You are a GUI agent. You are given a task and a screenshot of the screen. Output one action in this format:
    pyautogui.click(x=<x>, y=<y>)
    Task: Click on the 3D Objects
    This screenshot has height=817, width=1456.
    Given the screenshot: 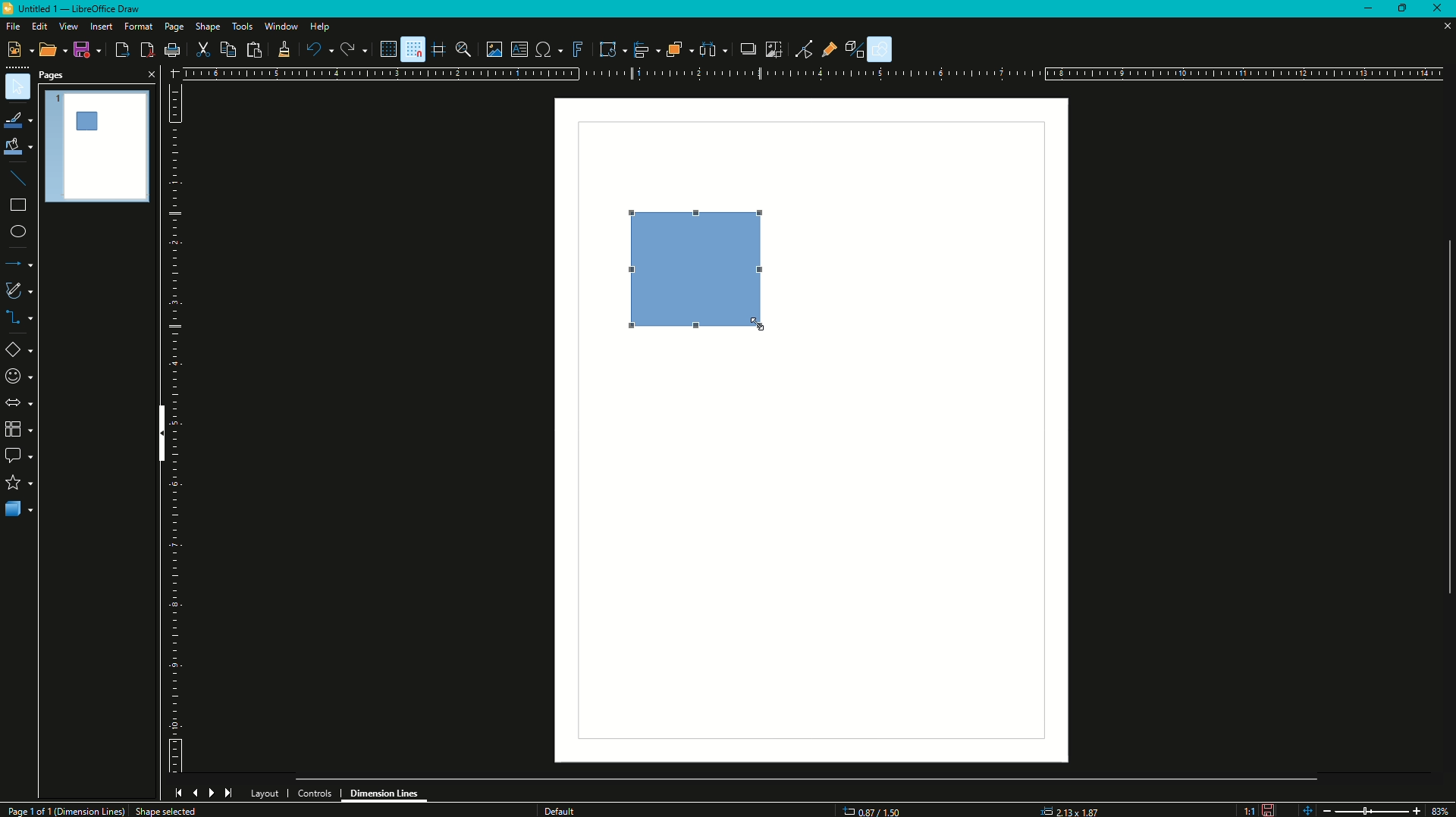 What is the action you would take?
    pyautogui.click(x=19, y=511)
    